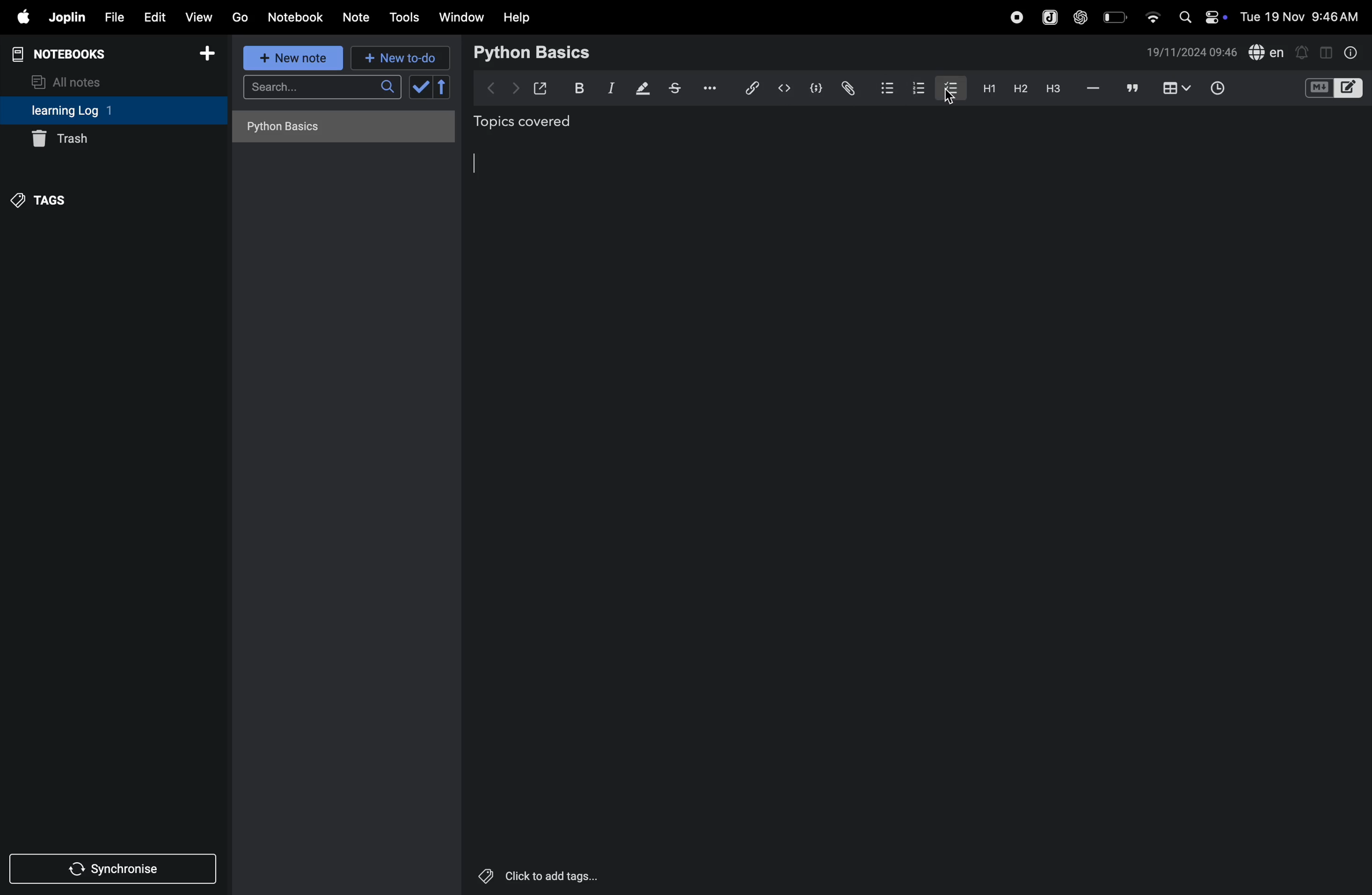 The height and width of the screenshot is (895, 1372). What do you see at coordinates (1333, 89) in the screenshot?
I see `code block` at bounding box center [1333, 89].